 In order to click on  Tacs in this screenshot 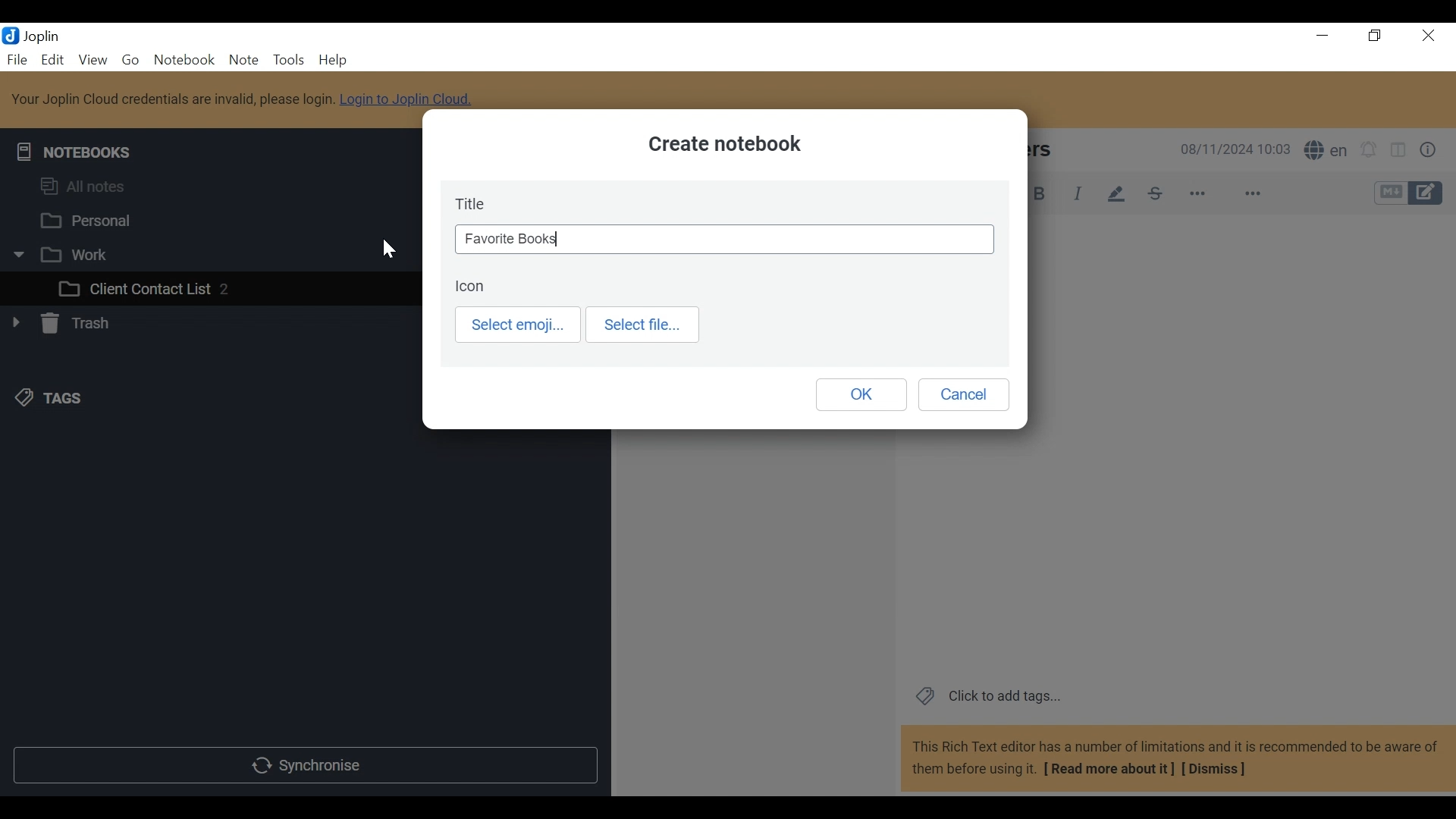, I will do `click(52, 399)`.